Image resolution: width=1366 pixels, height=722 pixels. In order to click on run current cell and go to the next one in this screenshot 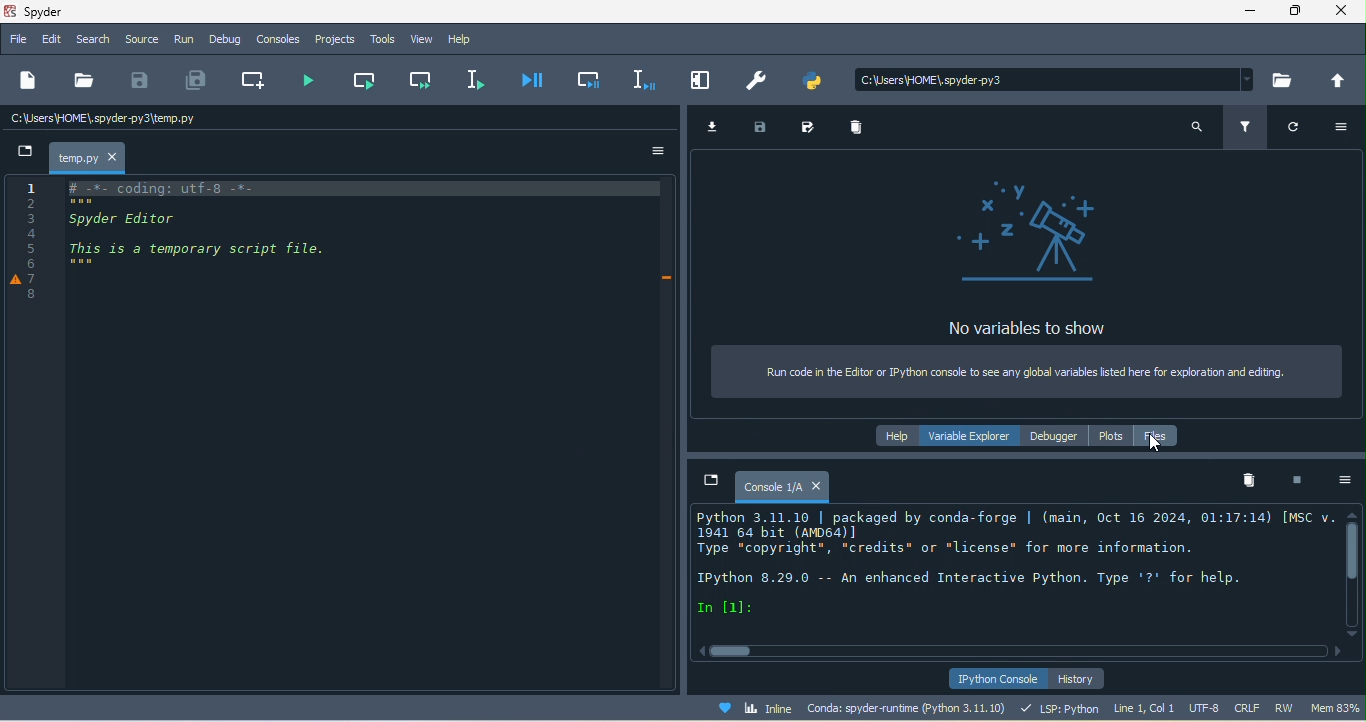, I will do `click(425, 79)`.